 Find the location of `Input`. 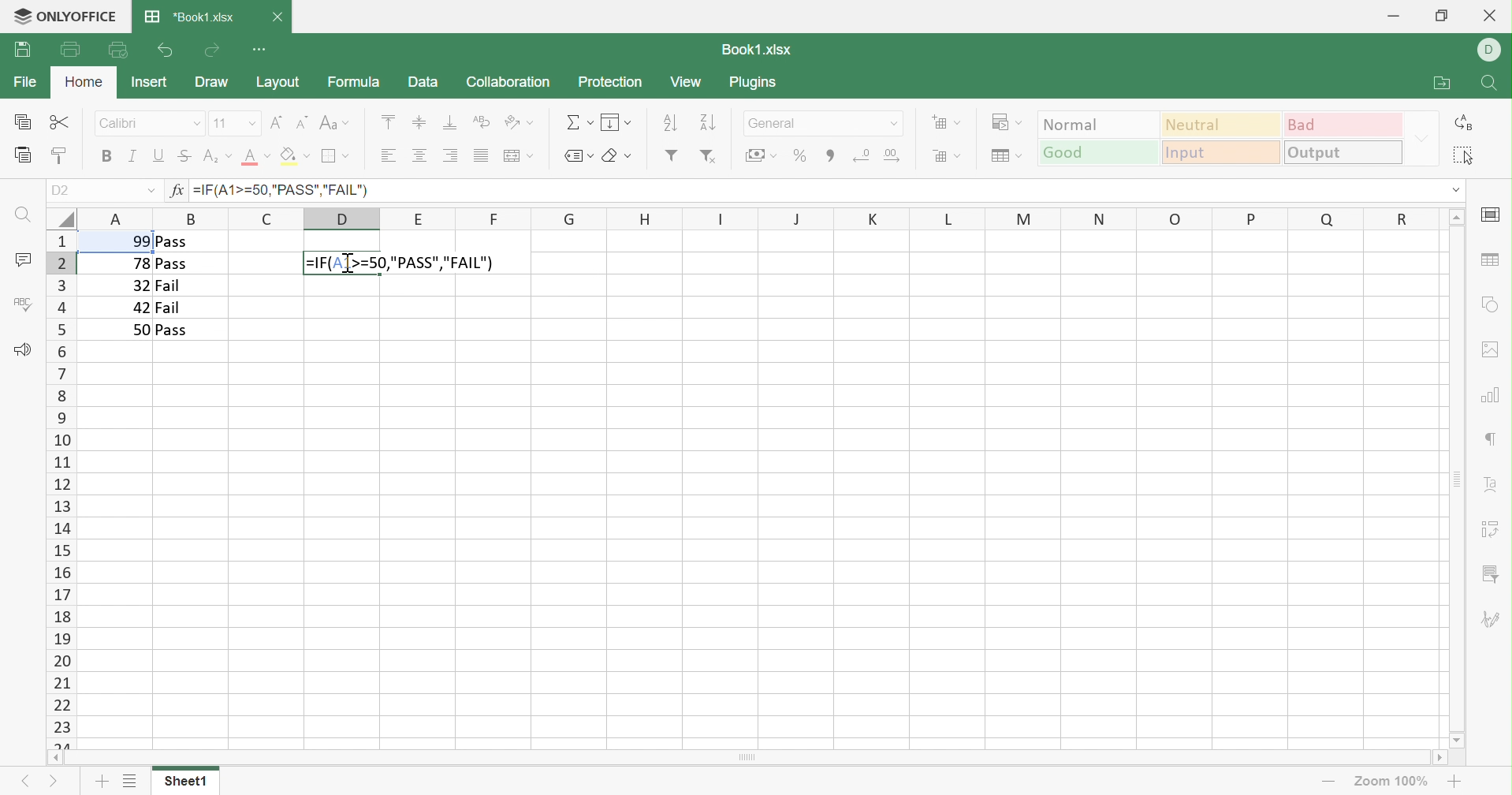

Input is located at coordinates (1224, 153).